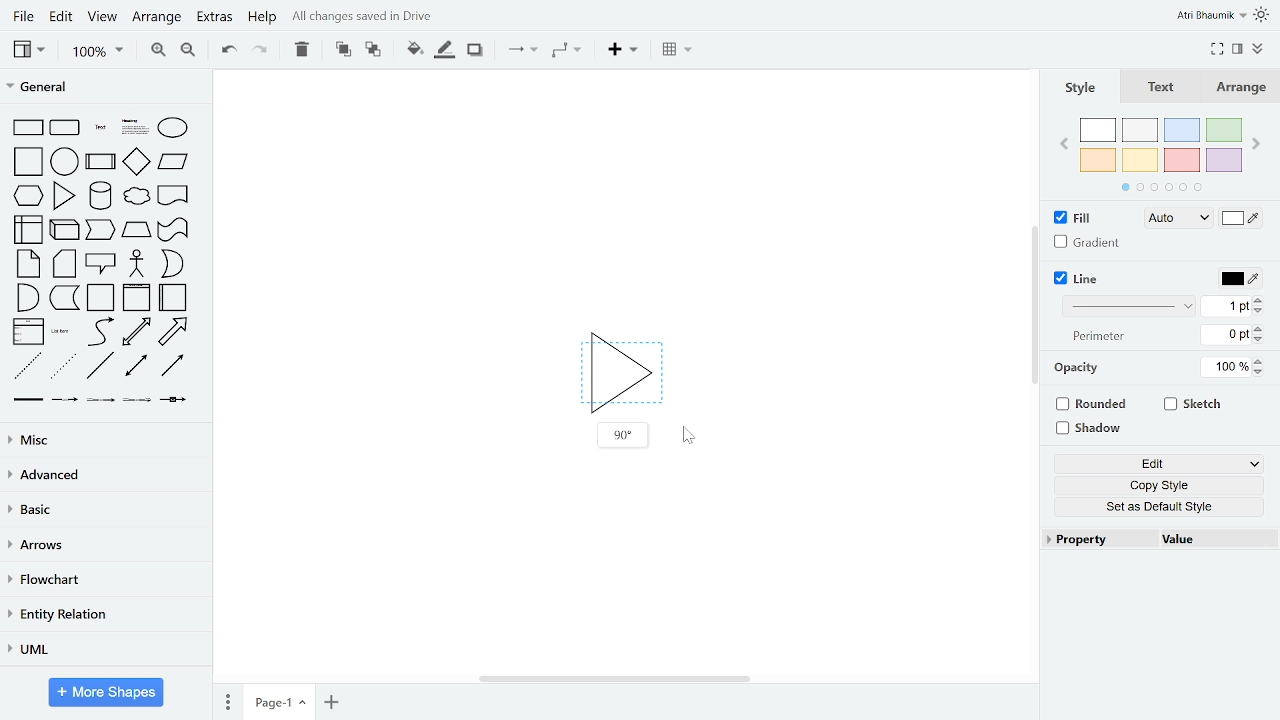  What do you see at coordinates (158, 17) in the screenshot?
I see `arrange` at bounding box center [158, 17].